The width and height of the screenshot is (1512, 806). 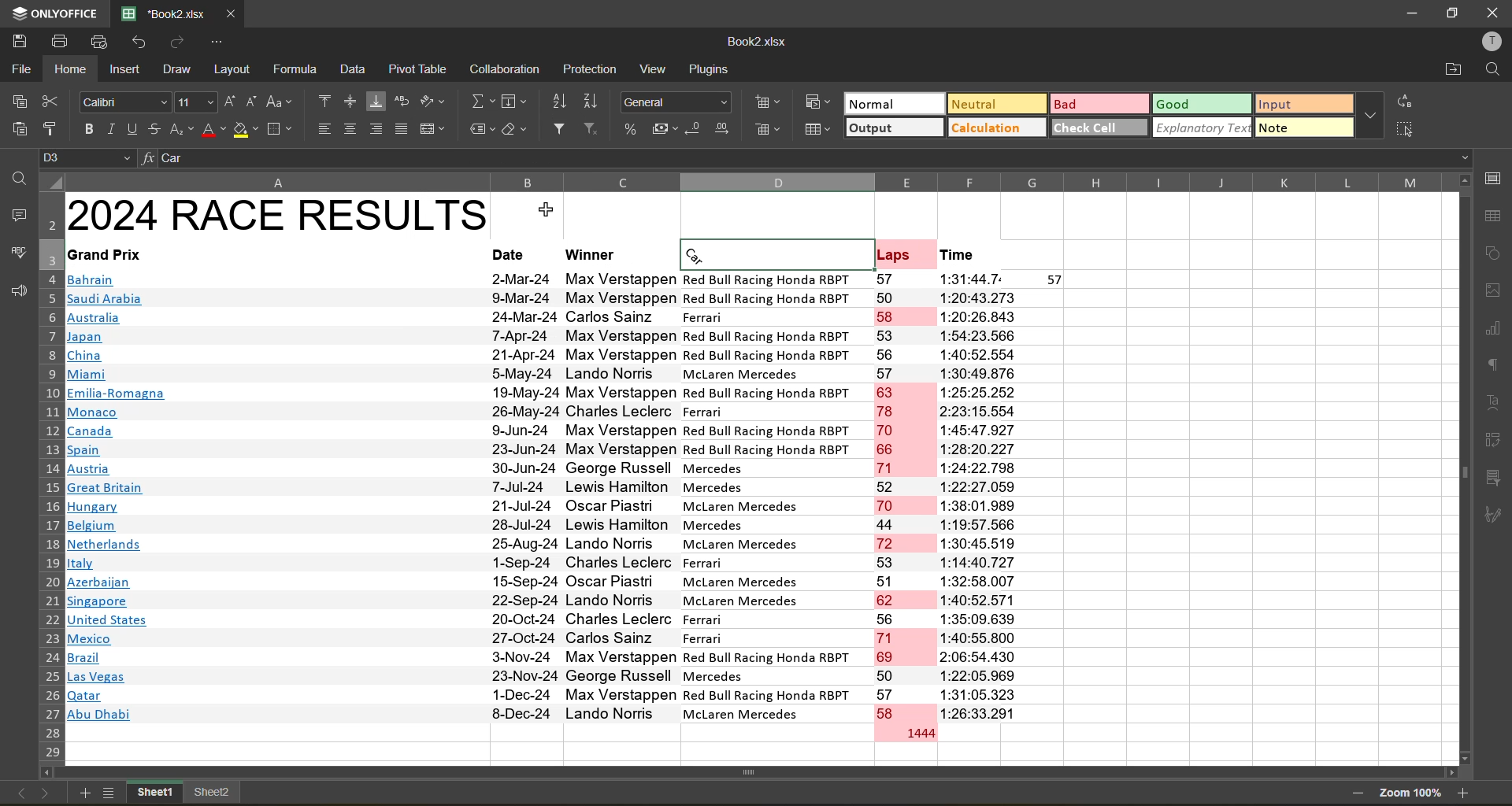 I want to click on protection, so click(x=595, y=68).